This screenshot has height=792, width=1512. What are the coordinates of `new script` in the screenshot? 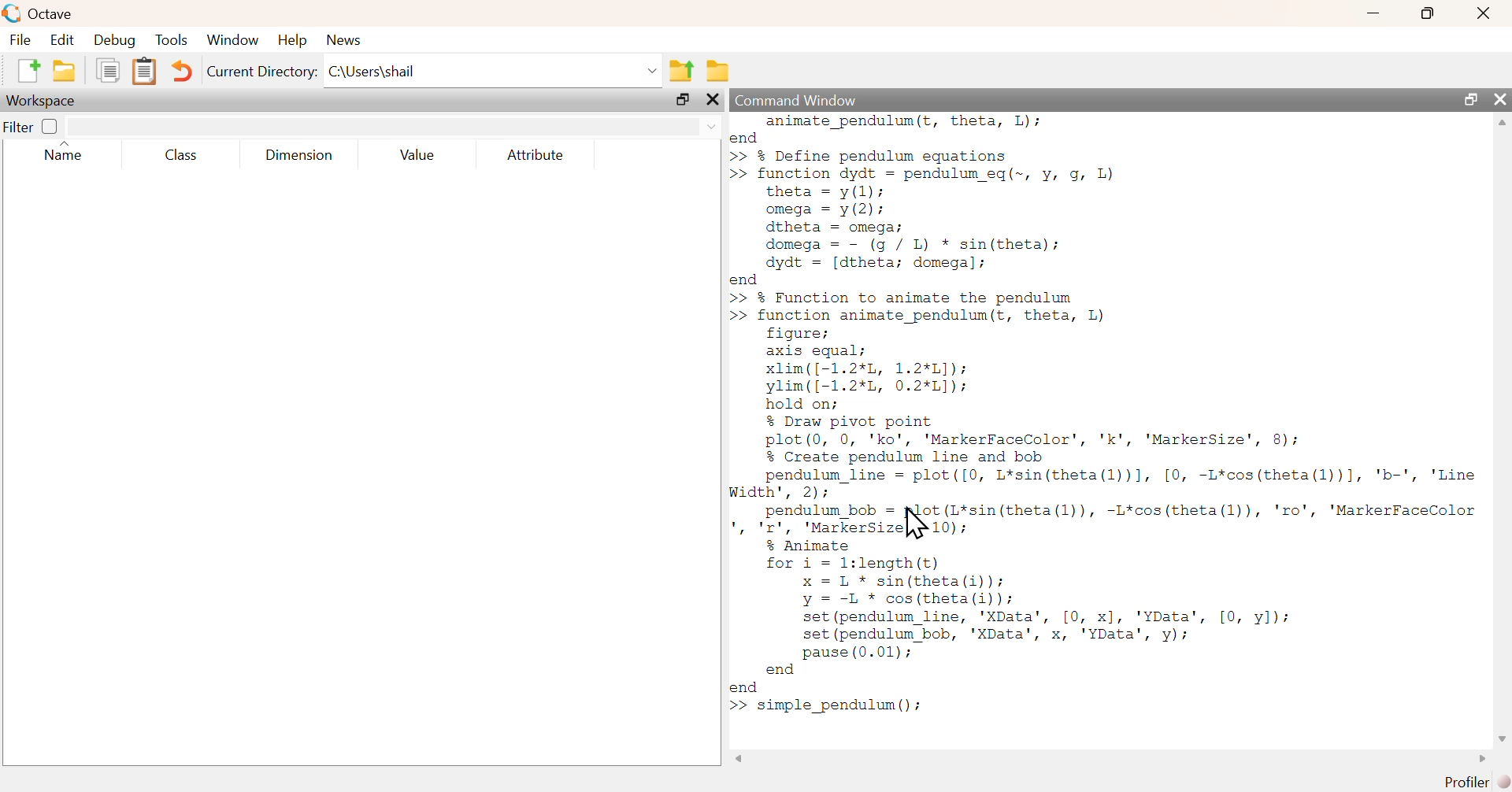 It's located at (30, 69).